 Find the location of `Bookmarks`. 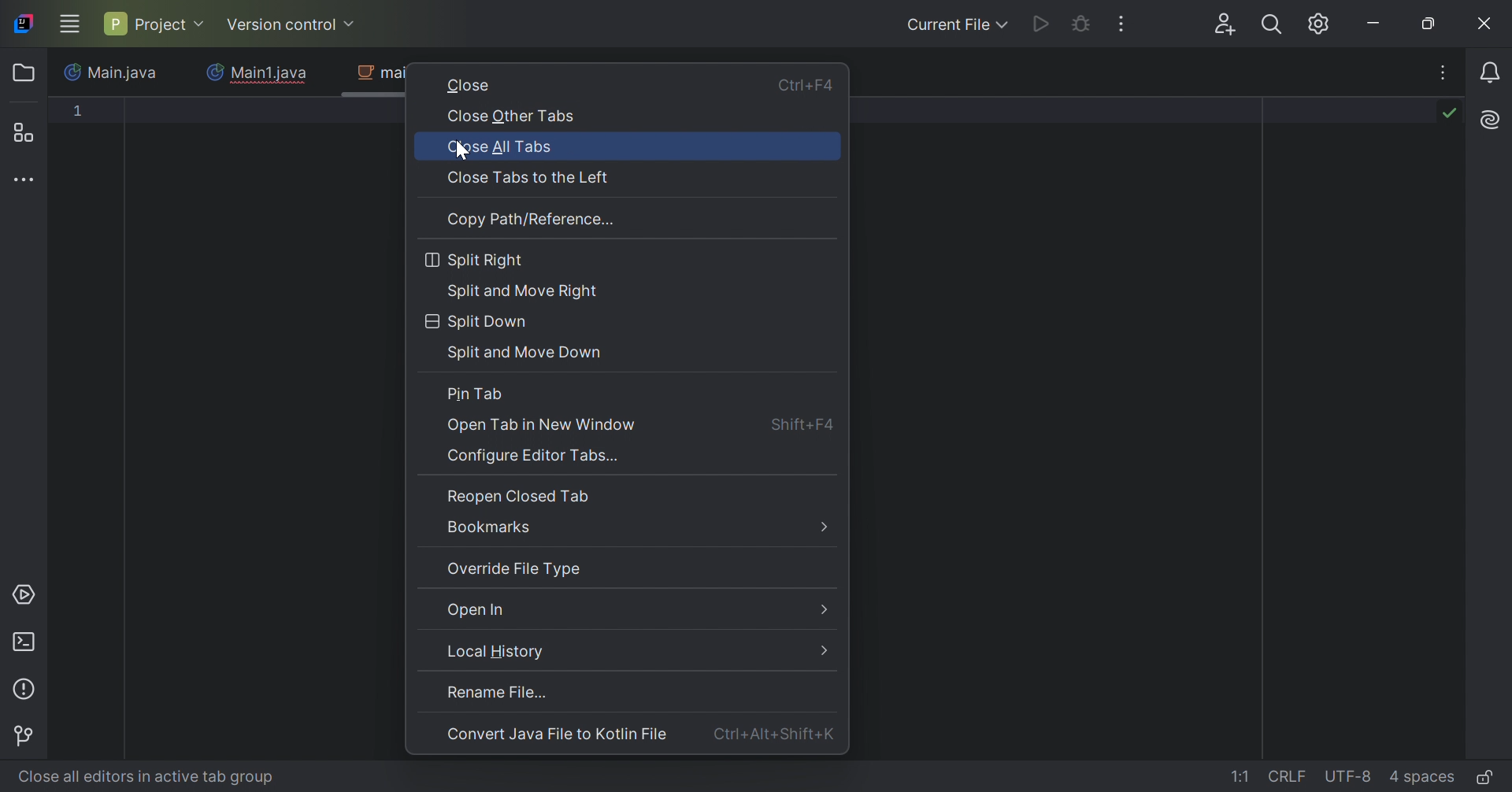

Bookmarks is located at coordinates (637, 528).